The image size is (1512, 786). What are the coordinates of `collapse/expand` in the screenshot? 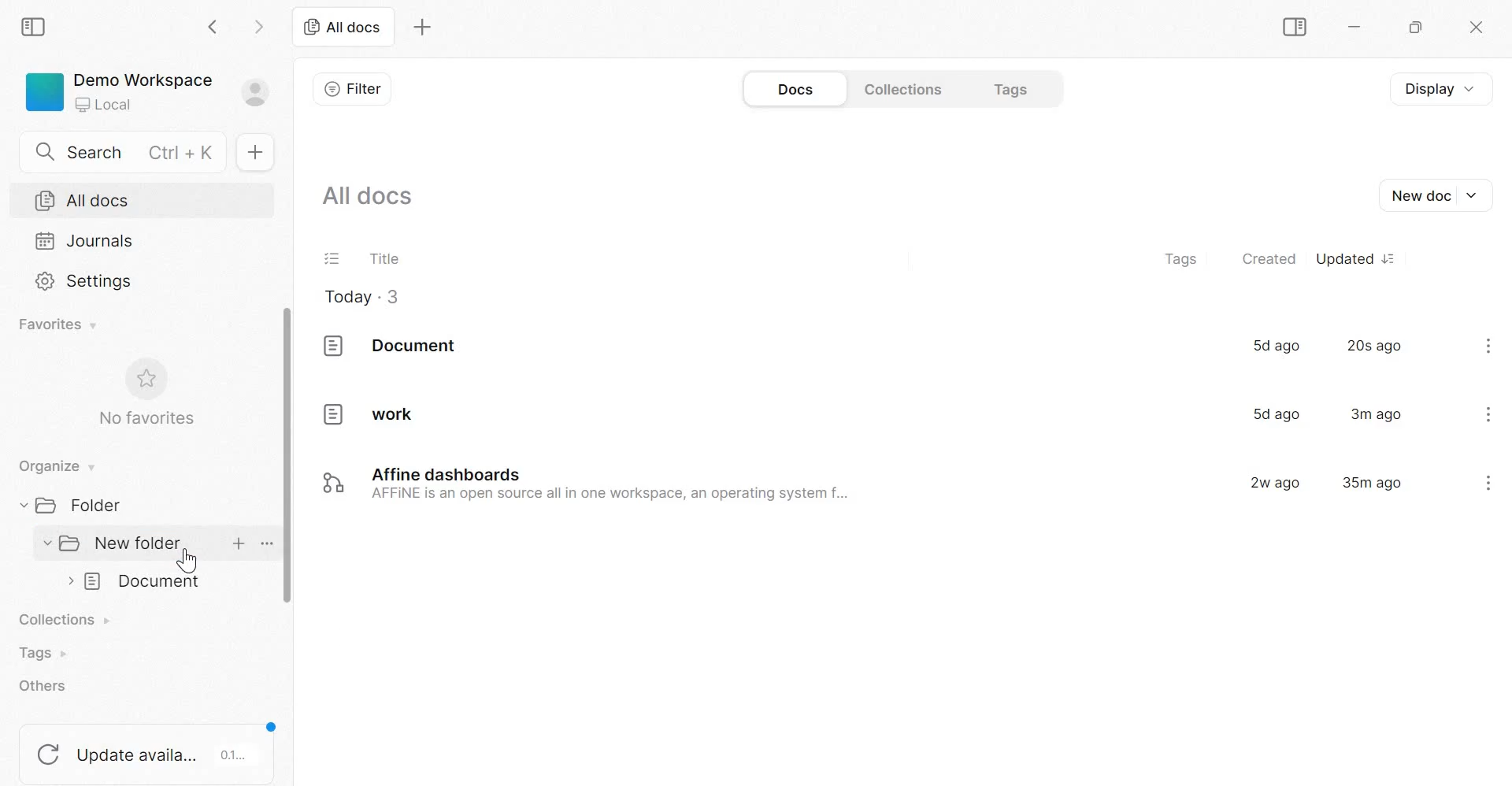 It's located at (68, 582).